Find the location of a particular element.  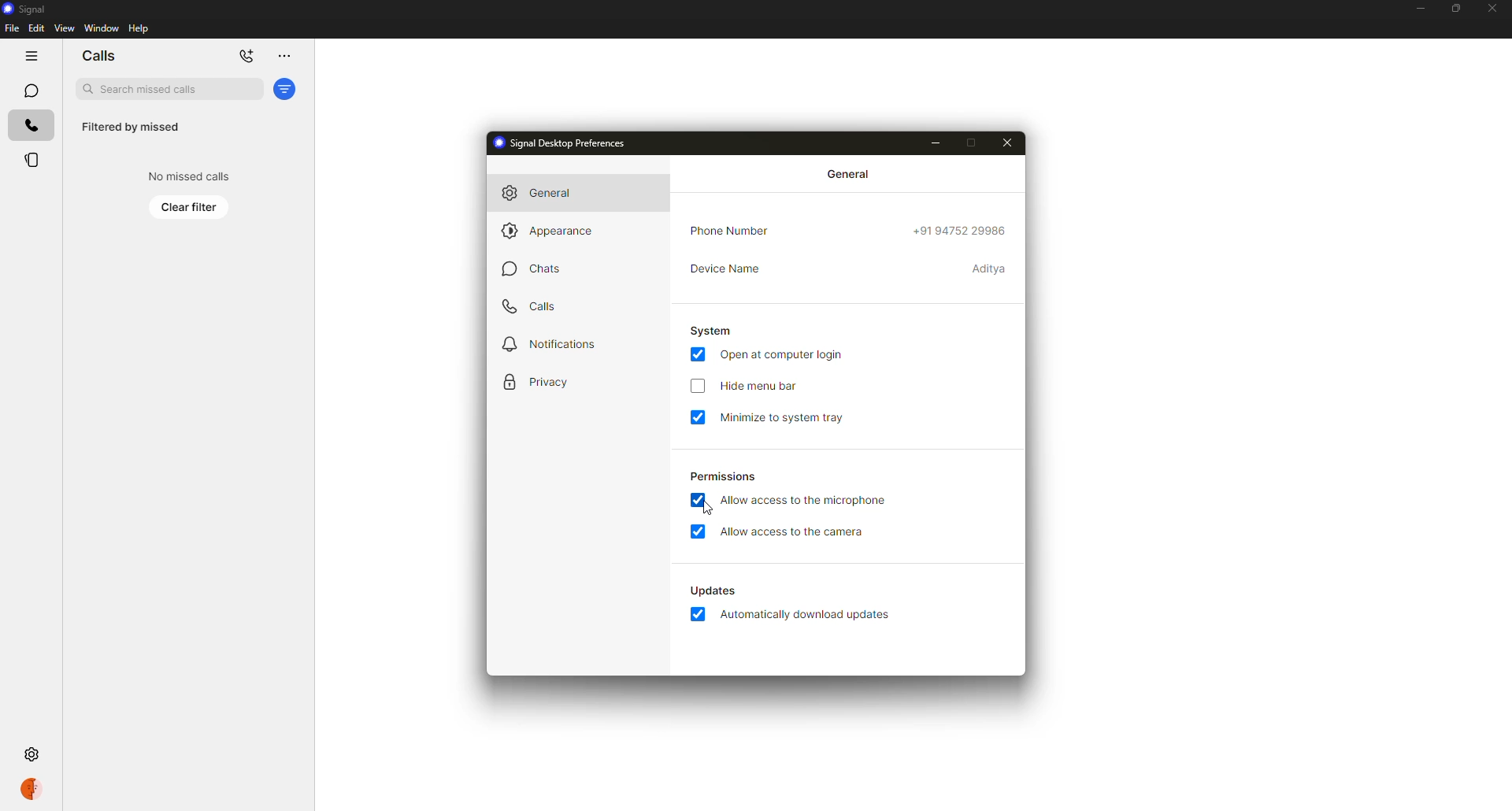

allow access to camera is located at coordinates (795, 531).